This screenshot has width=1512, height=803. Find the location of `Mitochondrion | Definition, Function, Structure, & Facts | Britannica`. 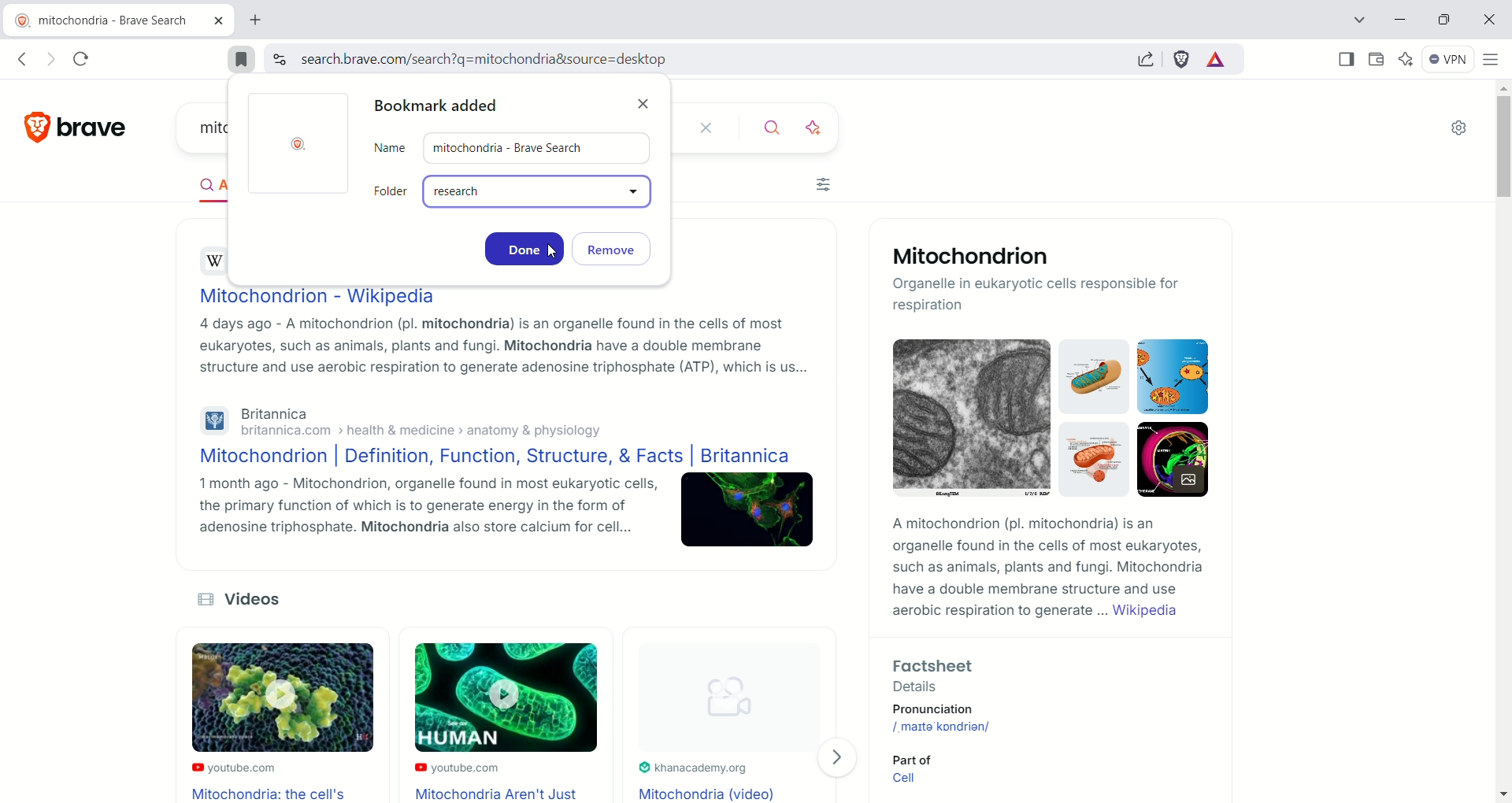

Mitochondrion | Definition, Function, Structure, & Facts | Britannica is located at coordinates (490, 457).